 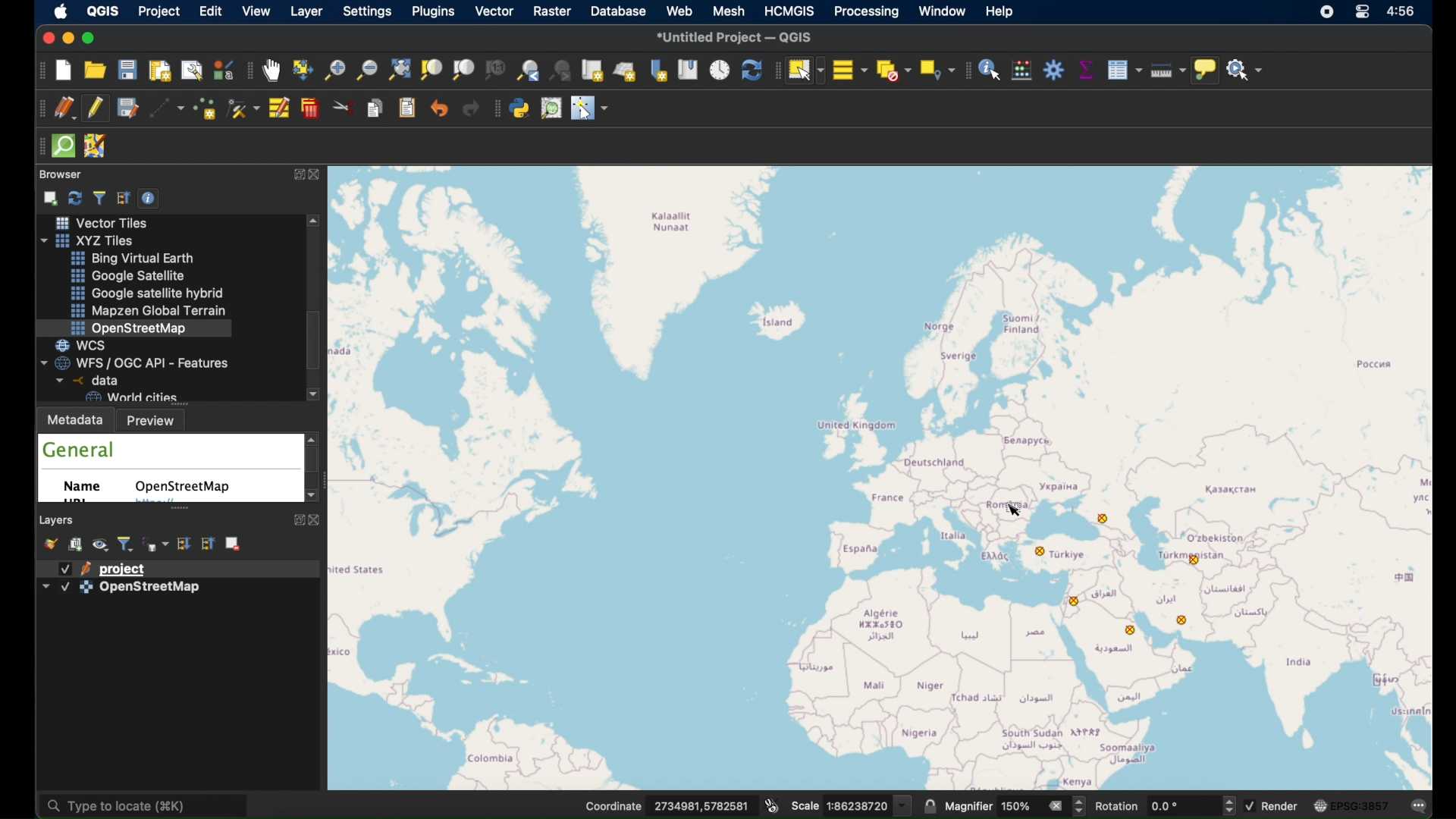 I want to click on filter legend by expression, so click(x=156, y=543).